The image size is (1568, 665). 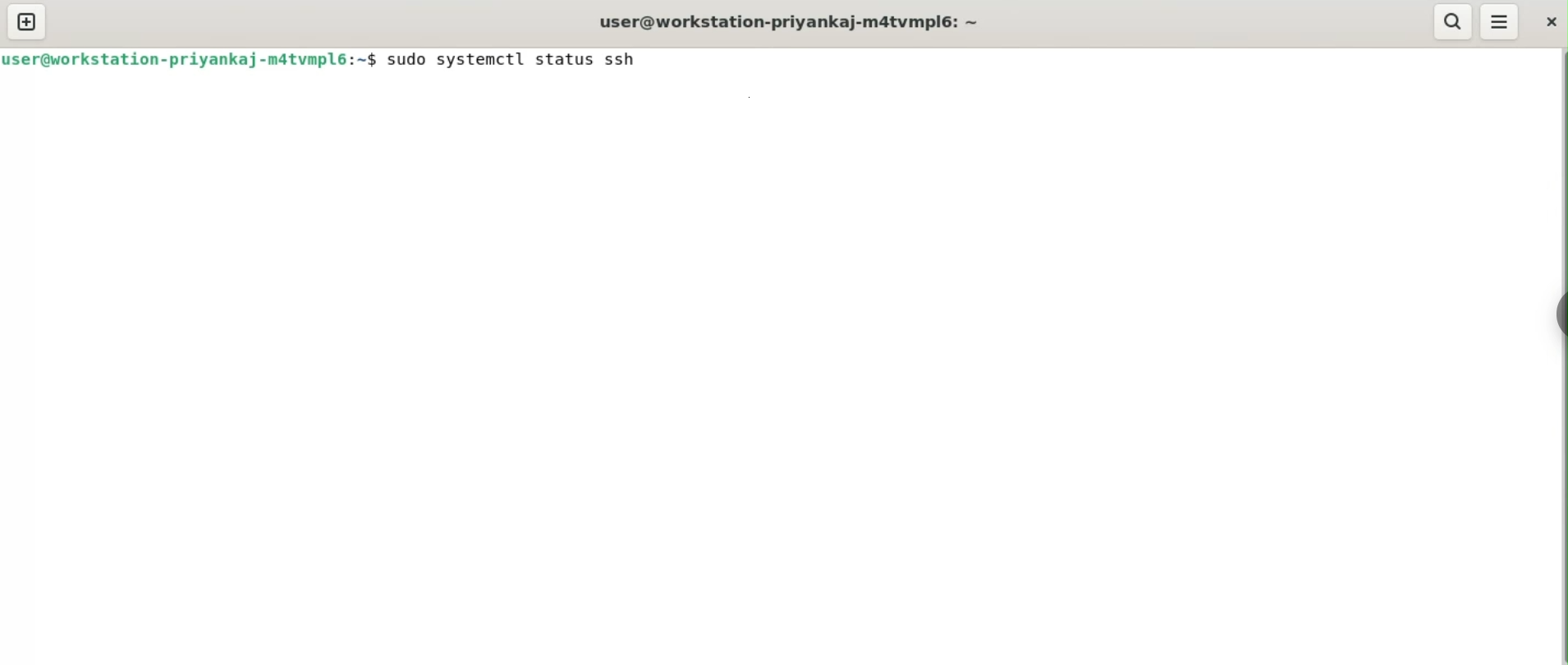 I want to click on close, so click(x=1548, y=22).